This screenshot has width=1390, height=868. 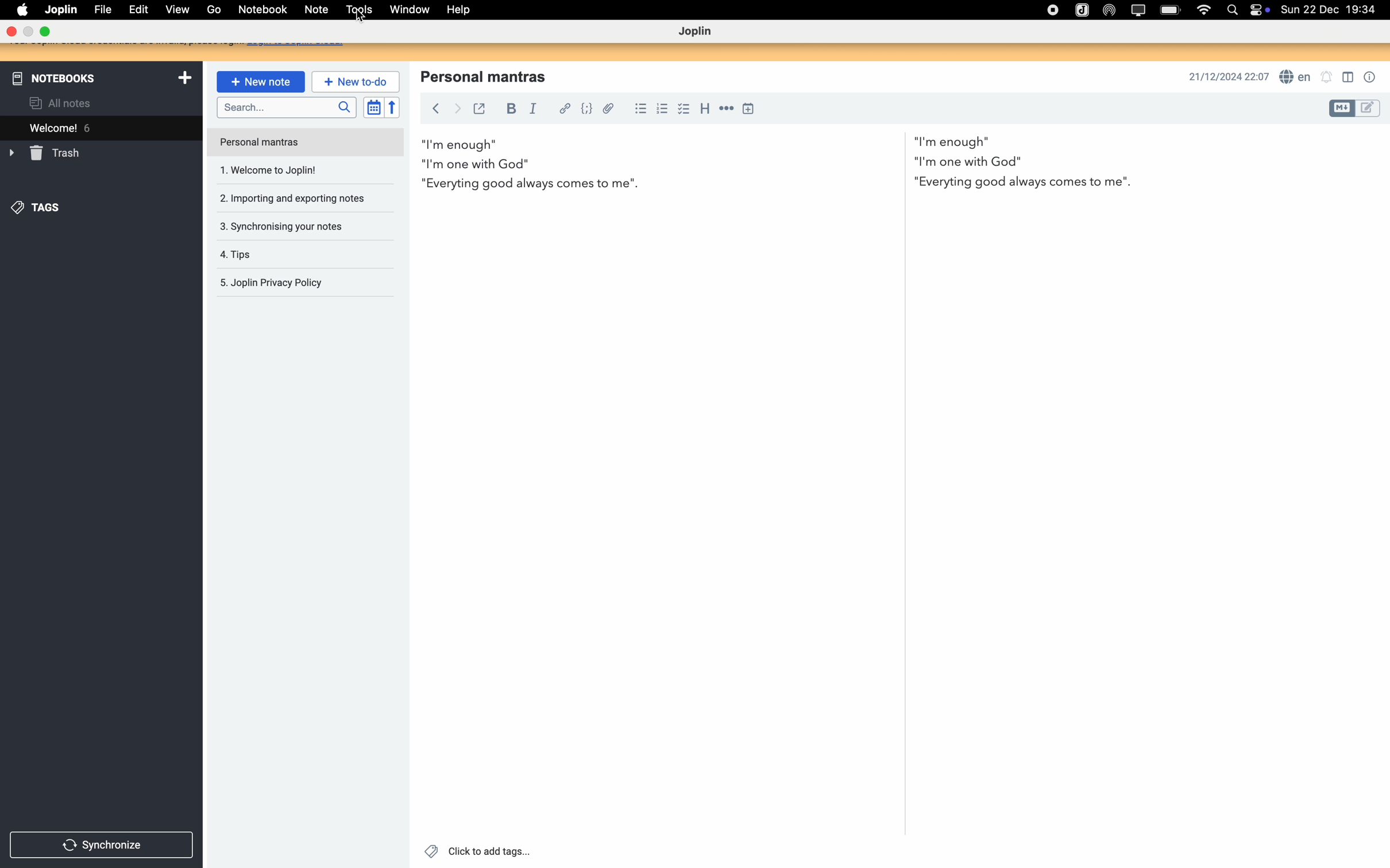 What do you see at coordinates (273, 283) in the screenshot?
I see `Joplin privacy policy` at bounding box center [273, 283].